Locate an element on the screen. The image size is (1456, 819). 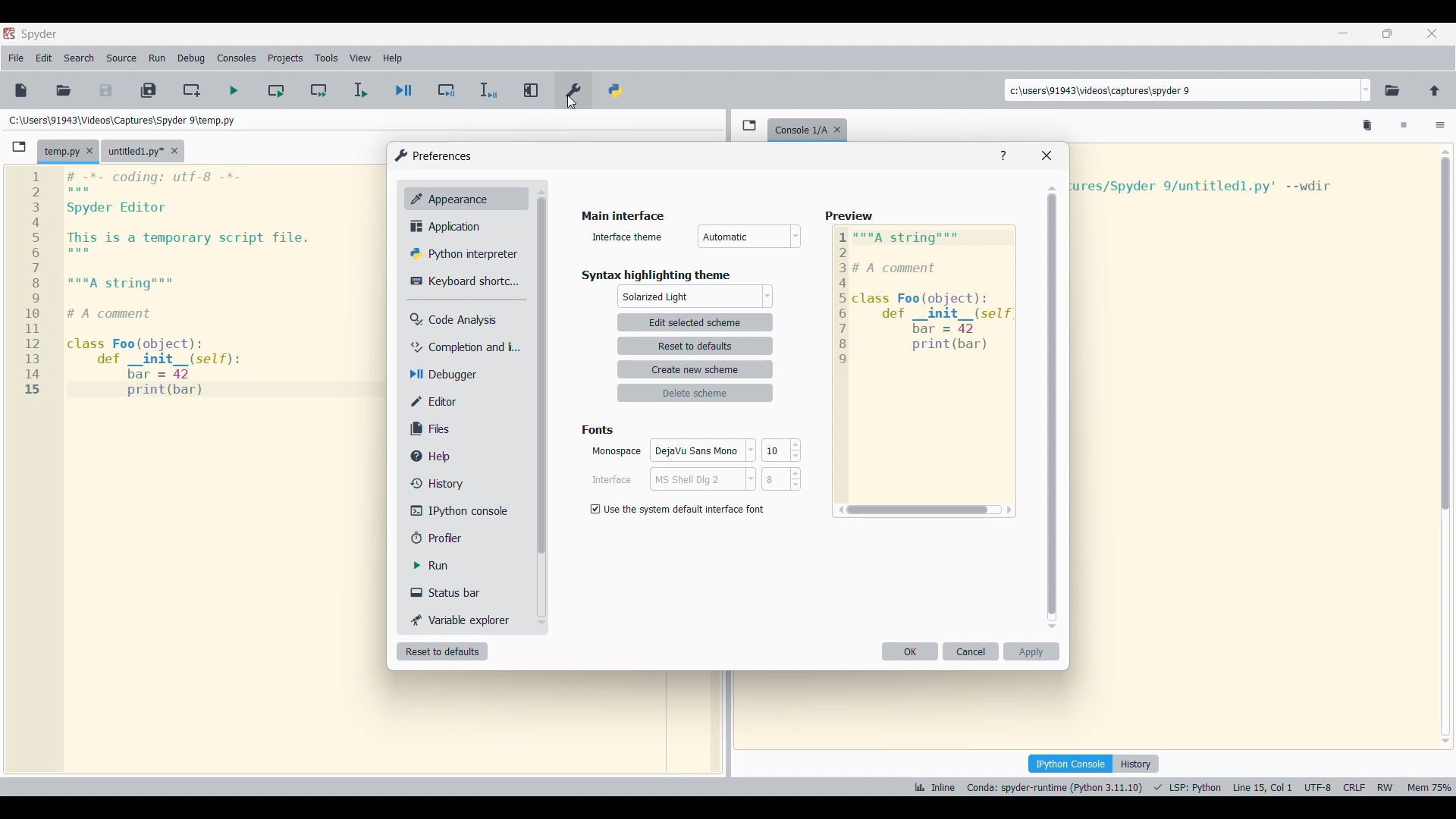
Current code is located at coordinates (199, 284).